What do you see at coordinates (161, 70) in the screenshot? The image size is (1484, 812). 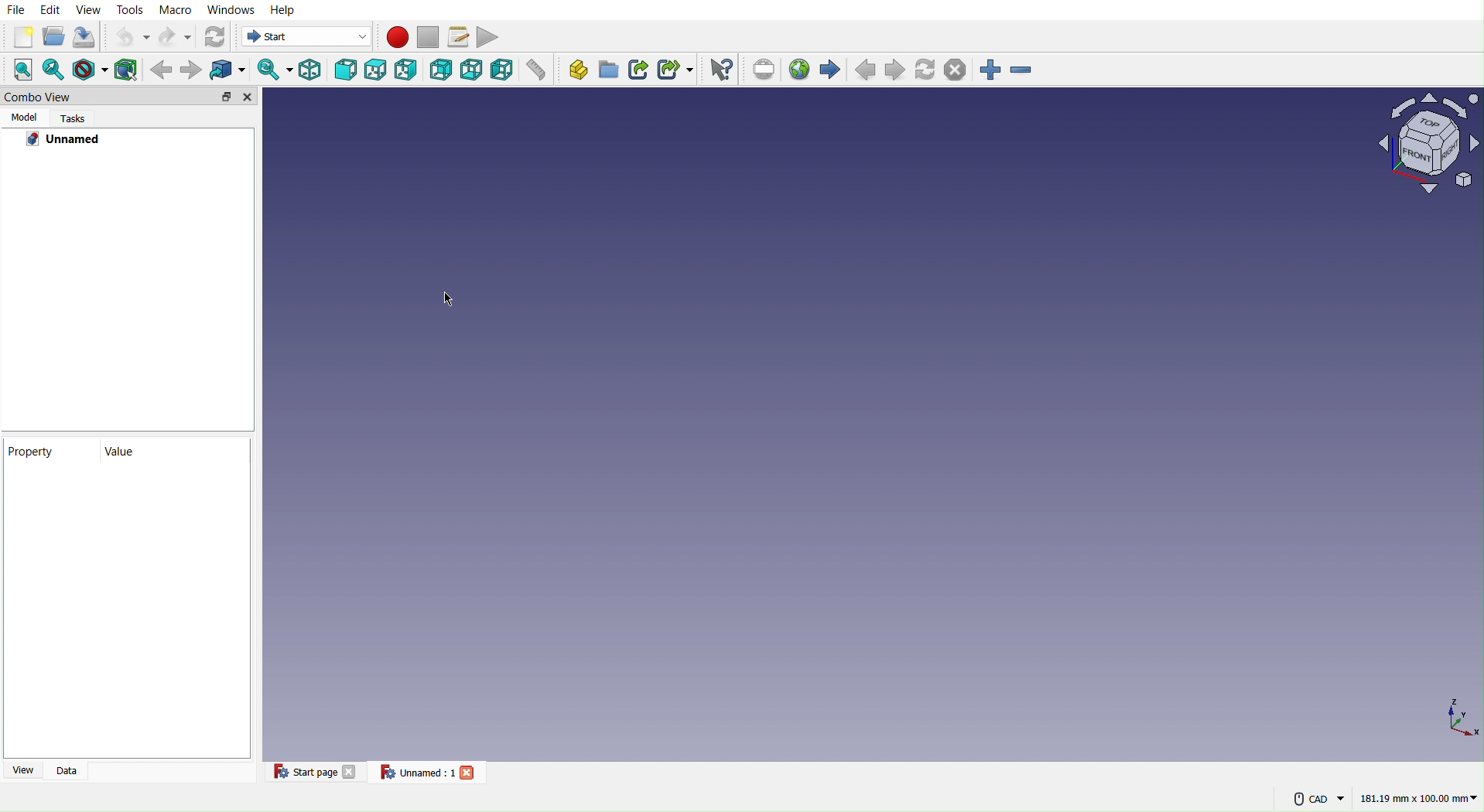 I see `Go back` at bounding box center [161, 70].